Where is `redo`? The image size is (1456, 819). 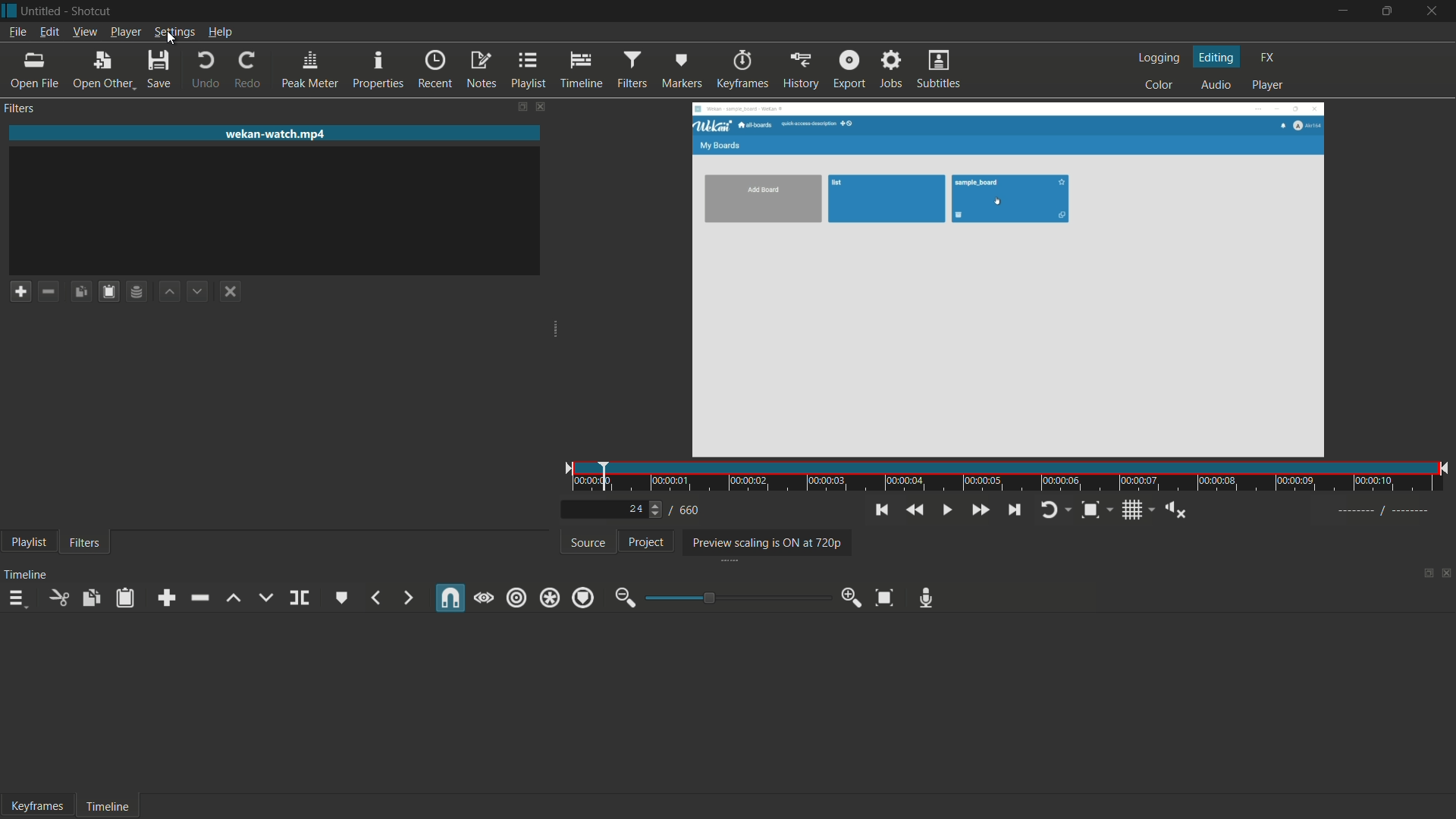
redo is located at coordinates (251, 69).